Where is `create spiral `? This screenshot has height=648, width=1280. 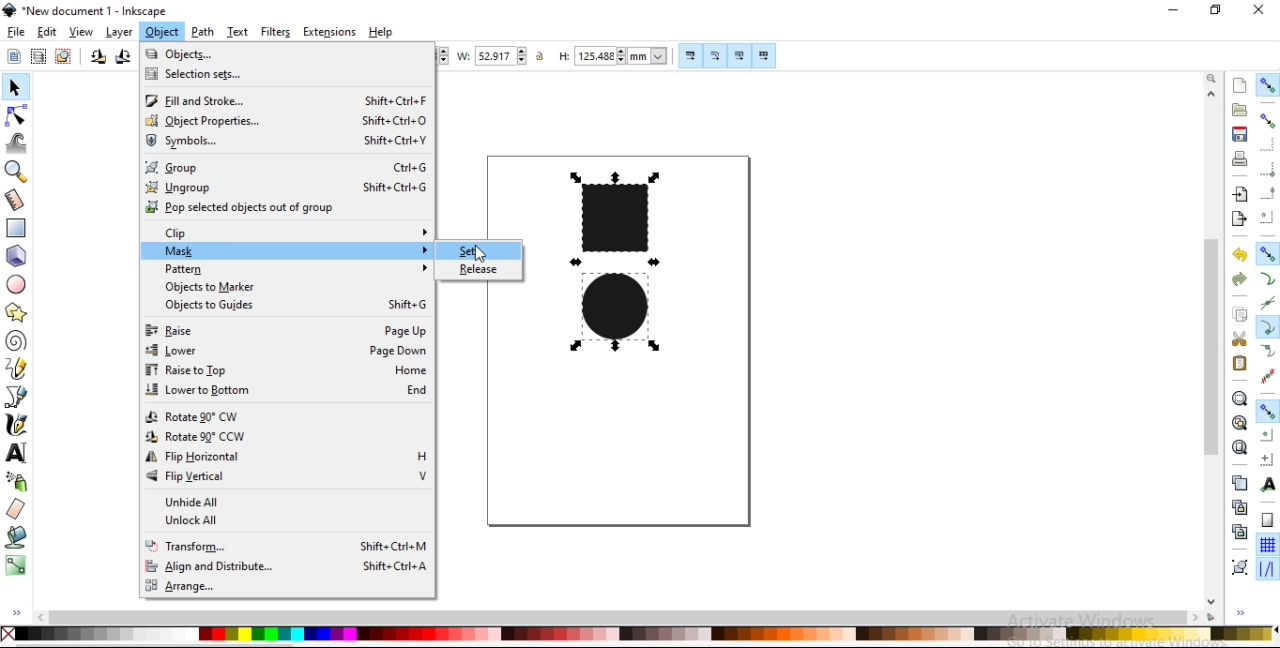
create spiral  is located at coordinates (14, 340).